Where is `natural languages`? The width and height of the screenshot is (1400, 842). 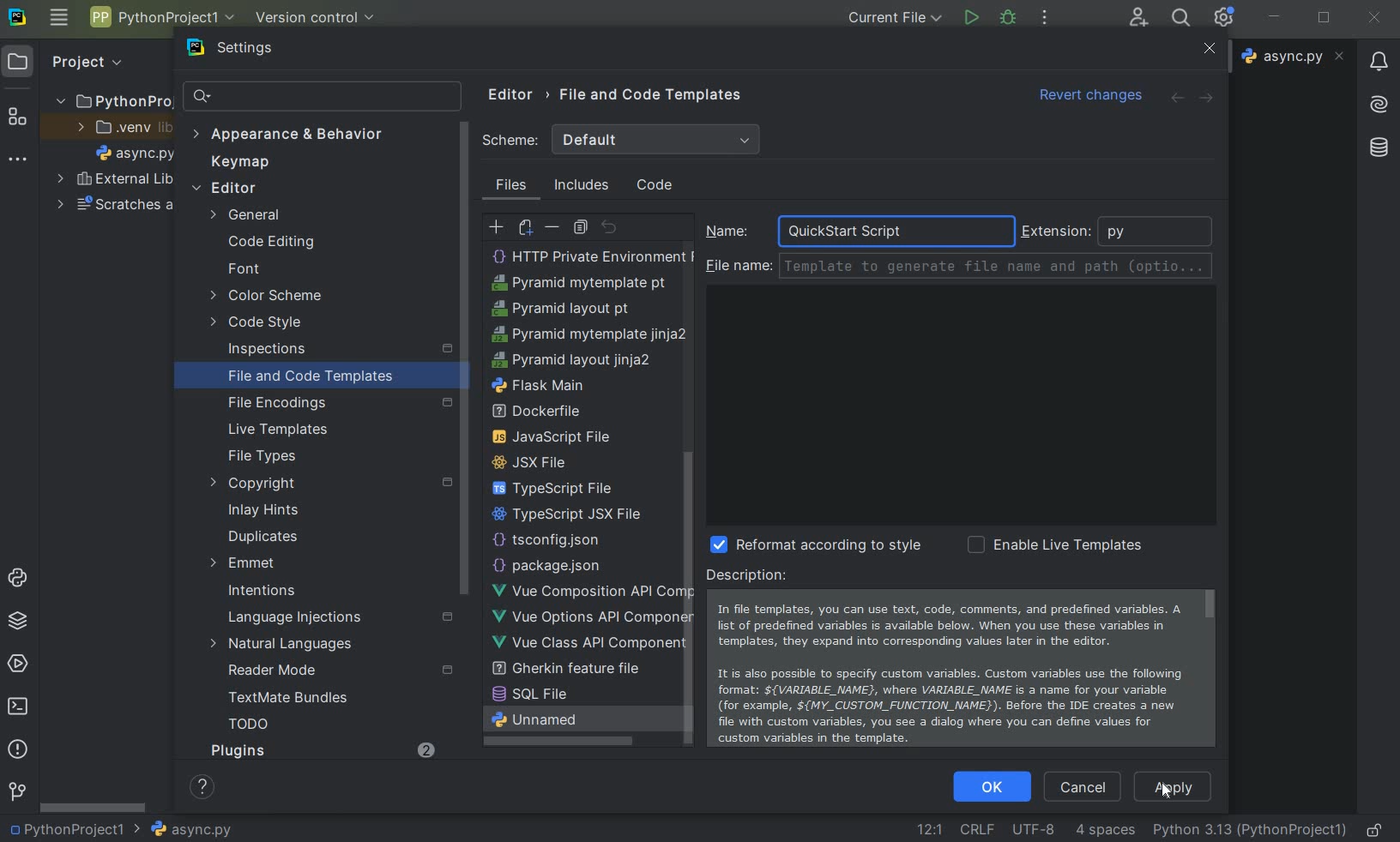 natural languages is located at coordinates (293, 645).